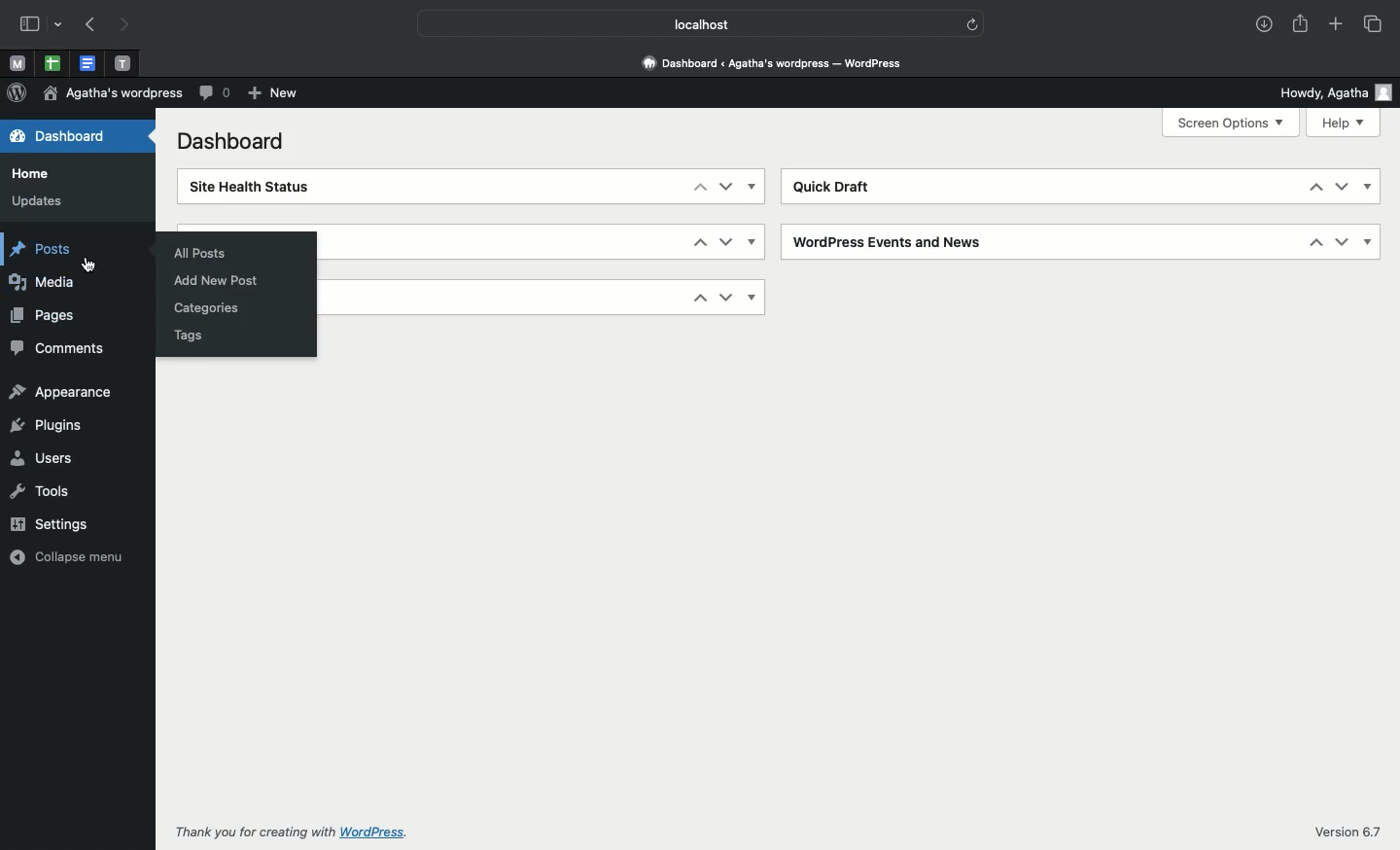  What do you see at coordinates (216, 94) in the screenshot?
I see `Comments` at bounding box center [216, 94].